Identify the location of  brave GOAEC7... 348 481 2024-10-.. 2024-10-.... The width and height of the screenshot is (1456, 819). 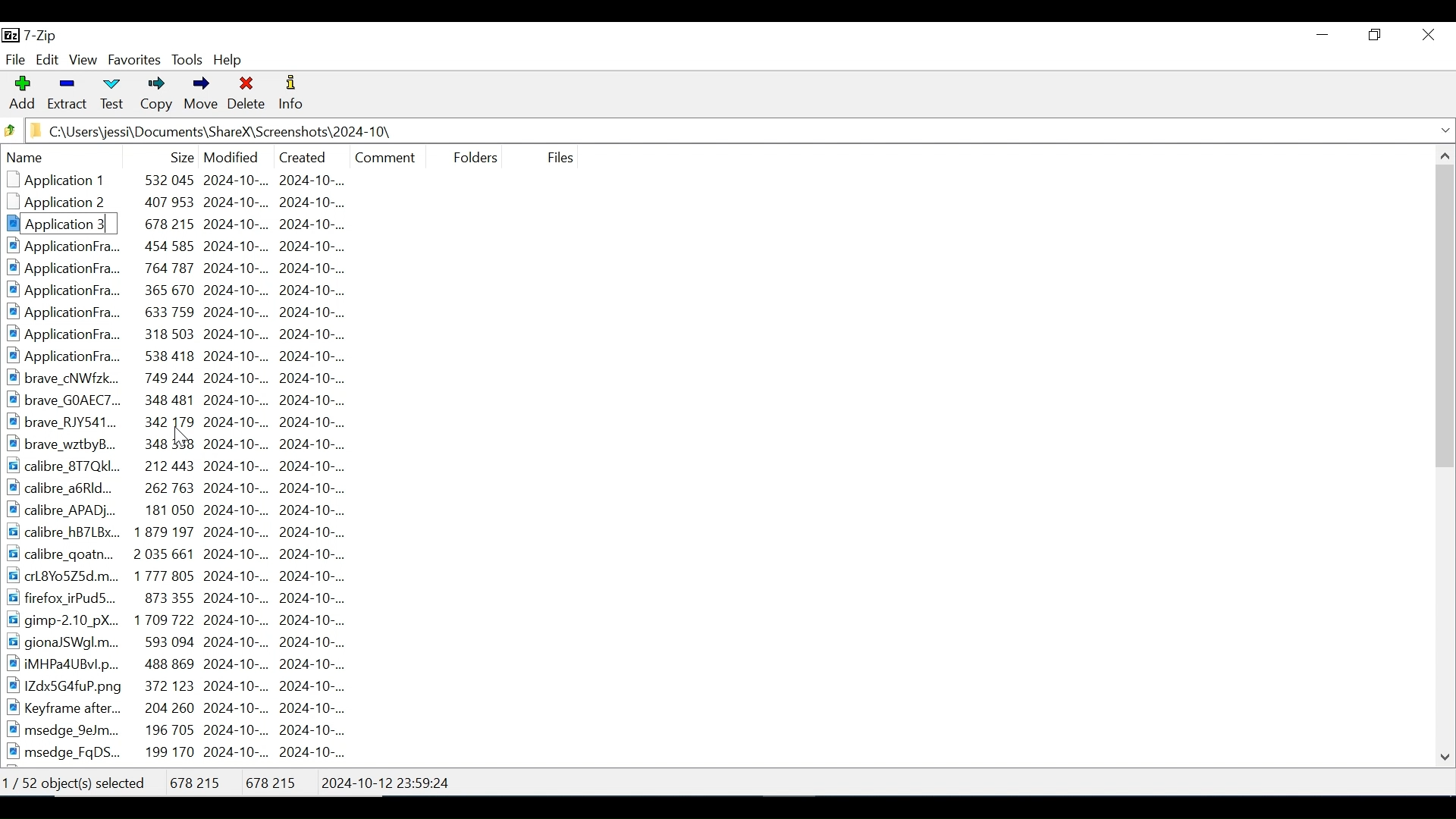
(187, 399).